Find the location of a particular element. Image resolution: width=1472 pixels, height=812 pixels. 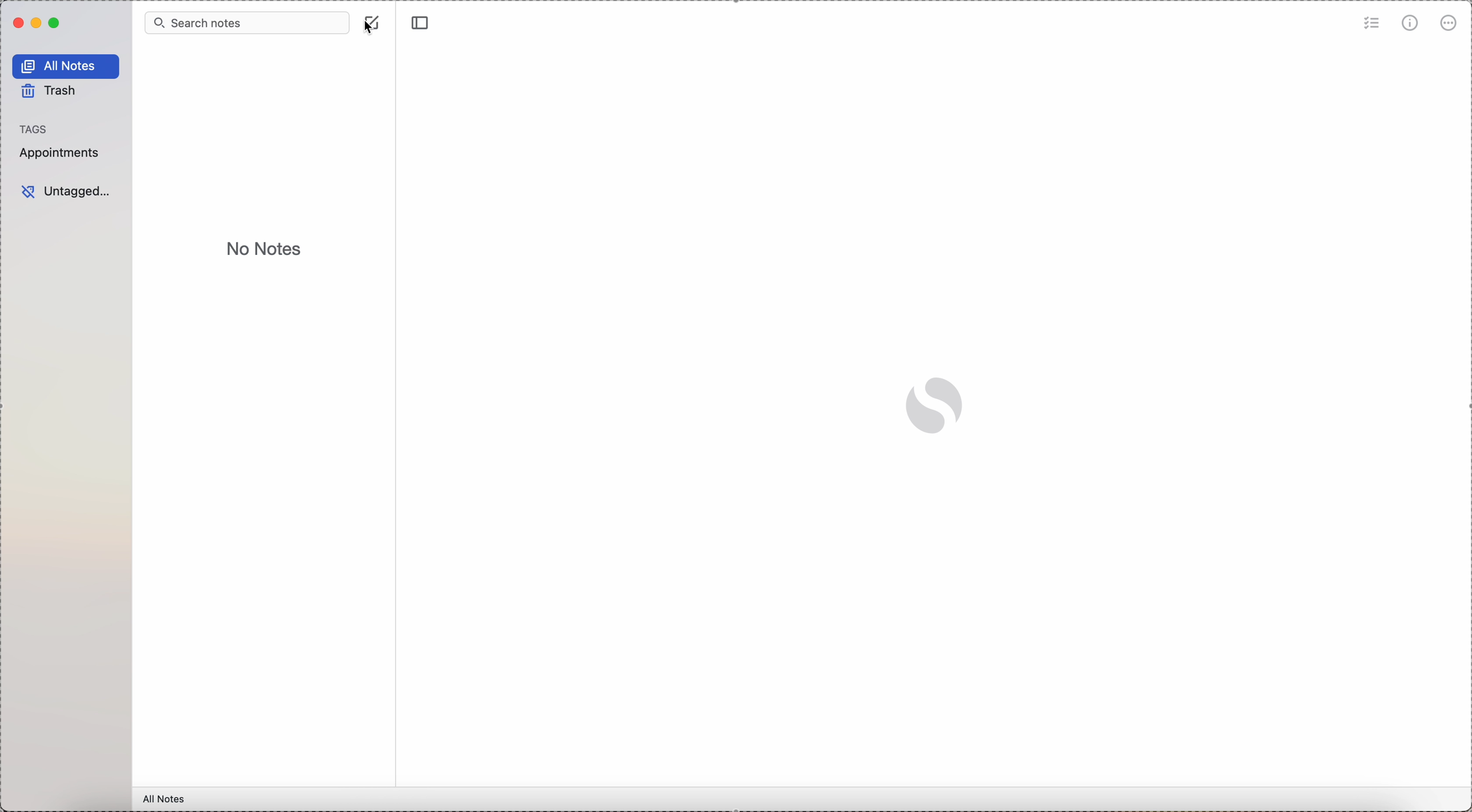

toggle sidebar is located at coordinates (422, 21).